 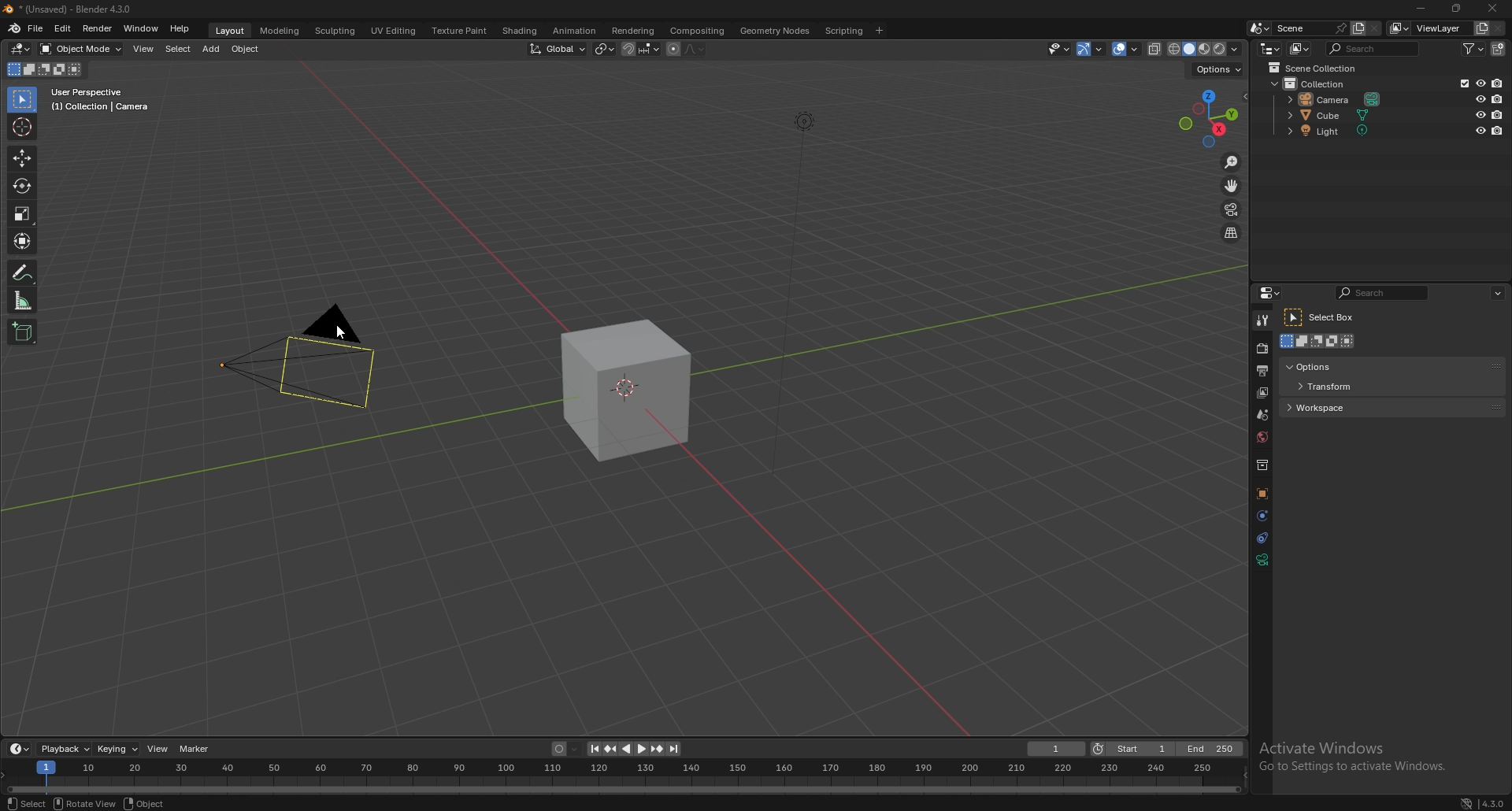 I want to click on edit, so click(x=64, y=28).